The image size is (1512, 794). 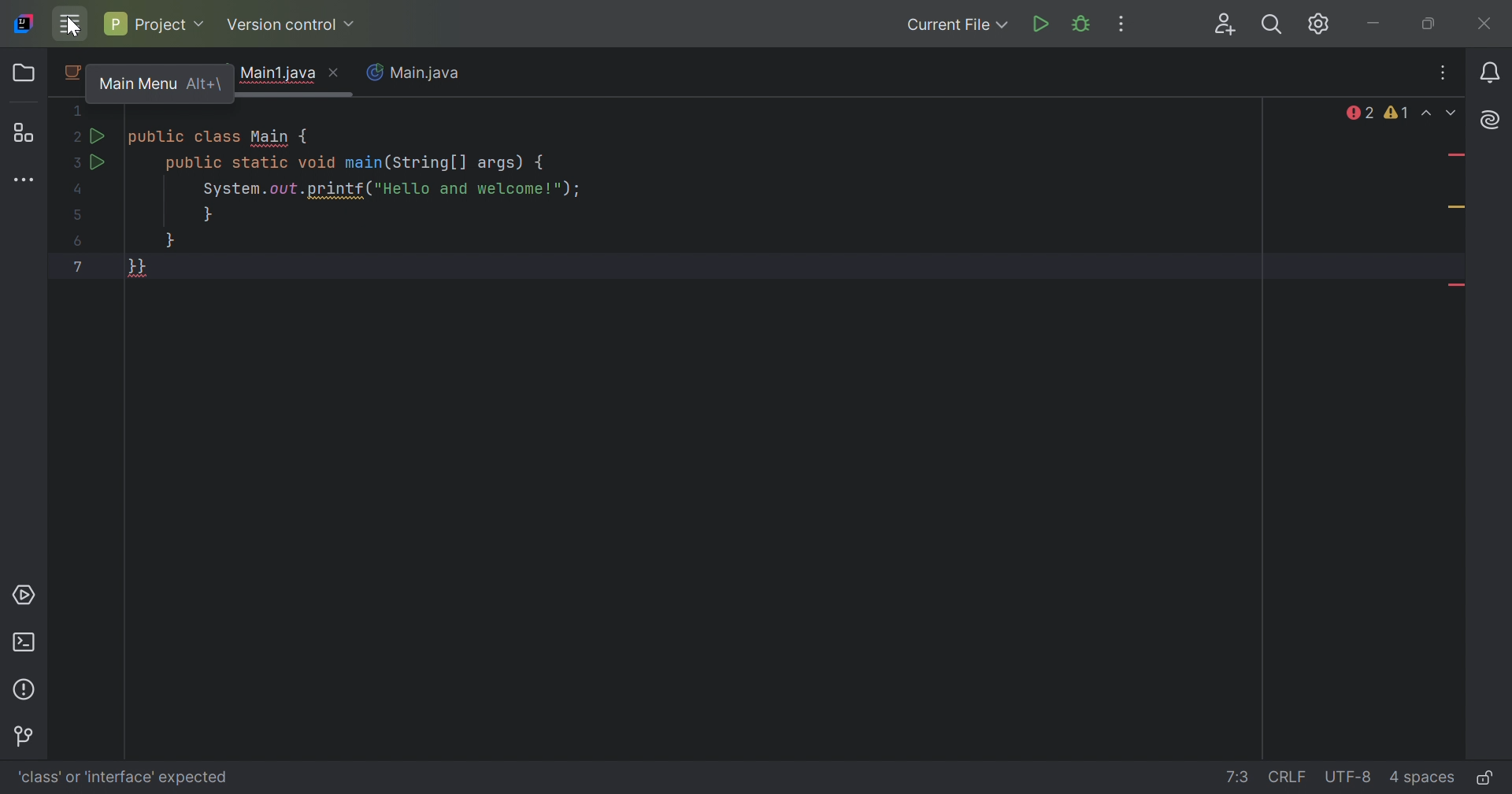 What do you see at coordinates (26, 642) in the screenshot?
I see `Terminal` at bounding box center [26, 642].